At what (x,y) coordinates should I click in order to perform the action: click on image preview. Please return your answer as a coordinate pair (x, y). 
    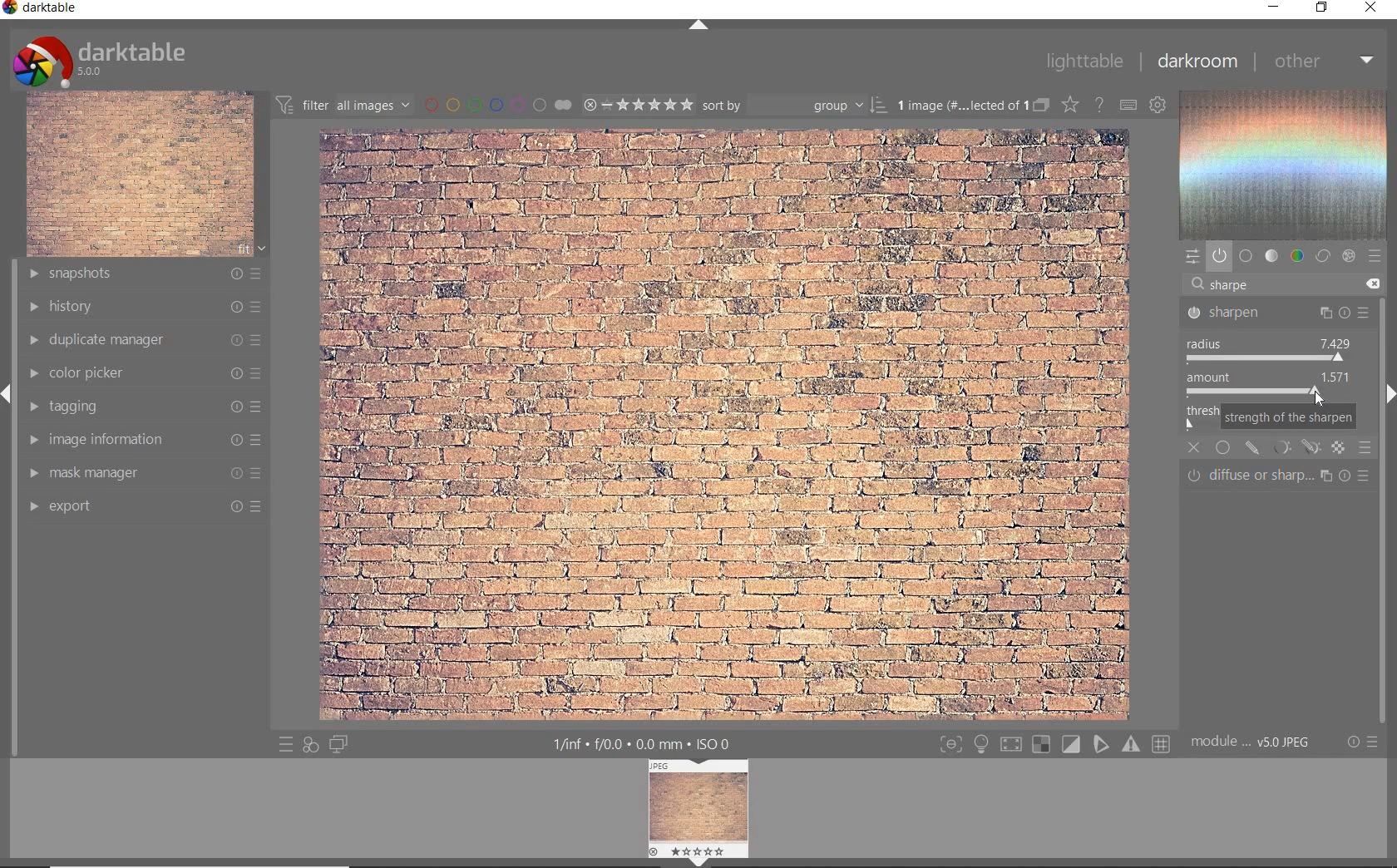
    Looking at the image, I should click on (700, 806).